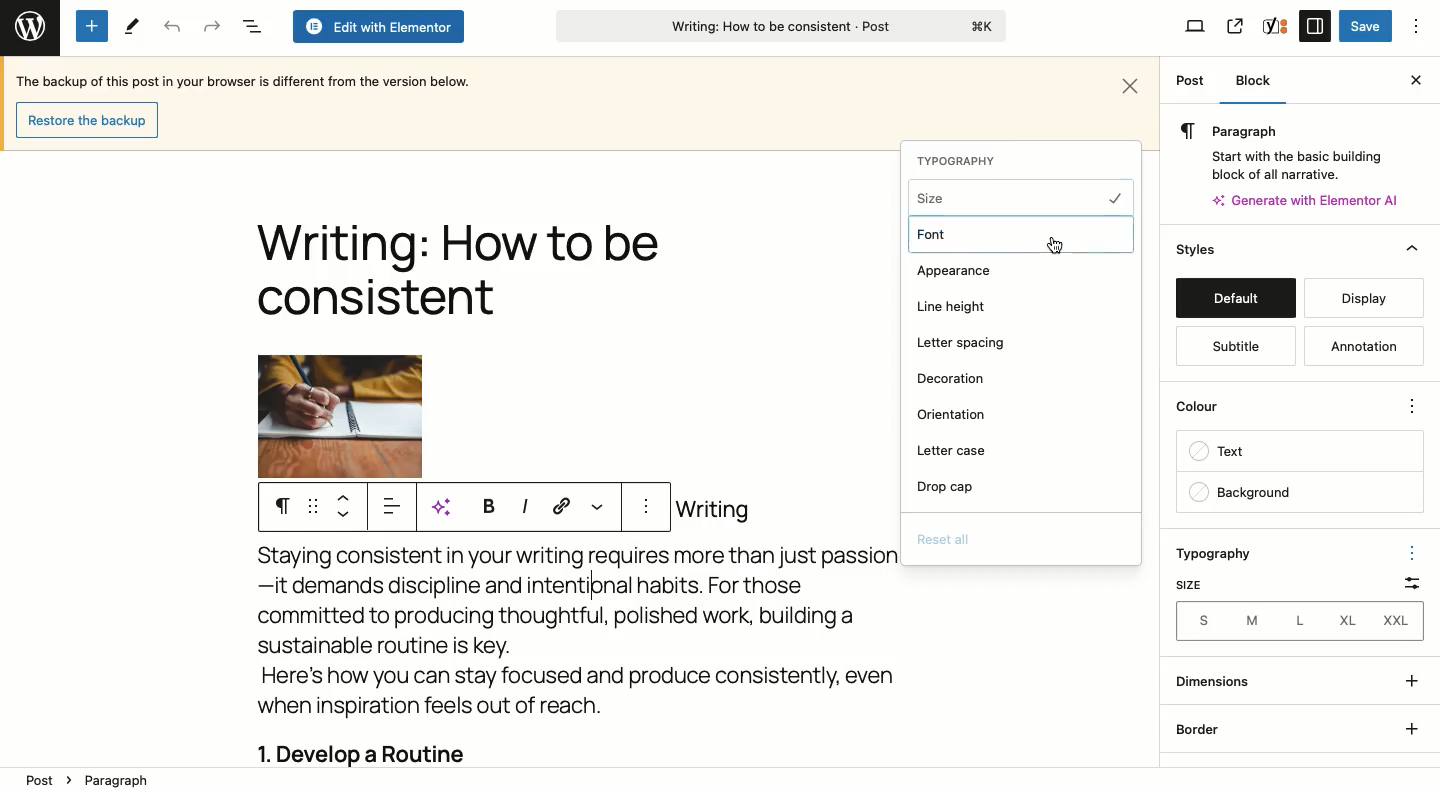  I want to click on Wordpress logo, so click(28, 23).